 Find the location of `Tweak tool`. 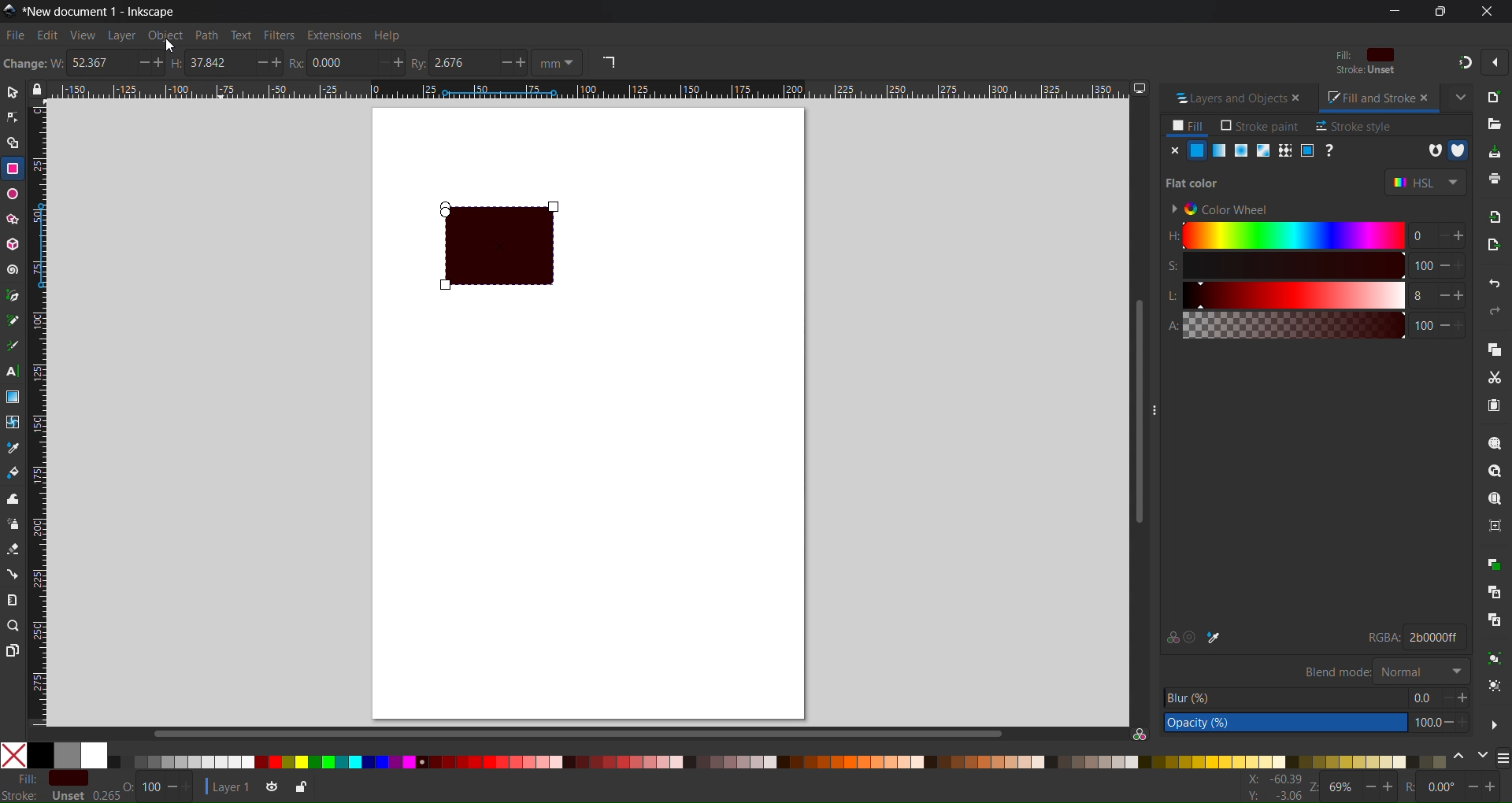

Tweak tool is located at coordinates (13, 498).